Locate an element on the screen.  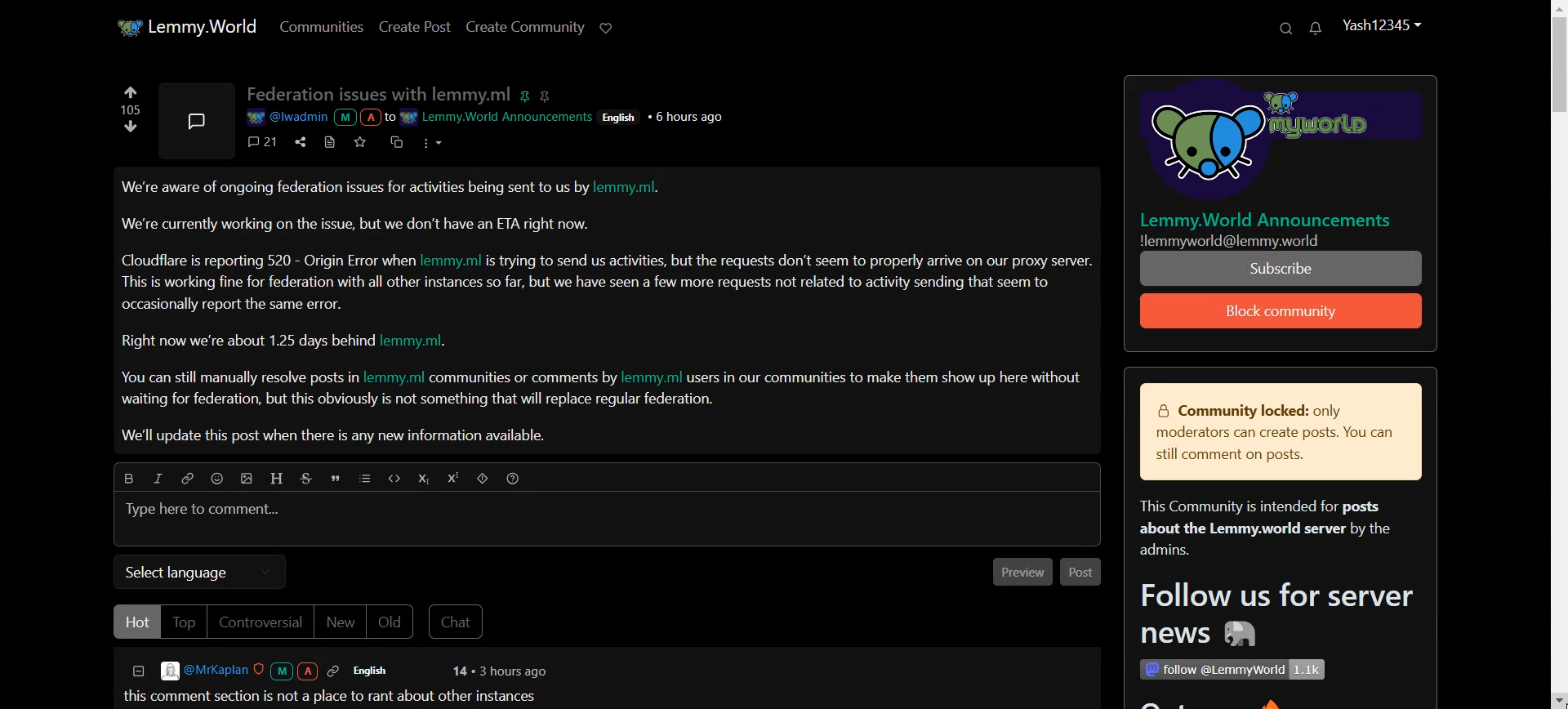
Subscript is located at coordinates (424, 479).